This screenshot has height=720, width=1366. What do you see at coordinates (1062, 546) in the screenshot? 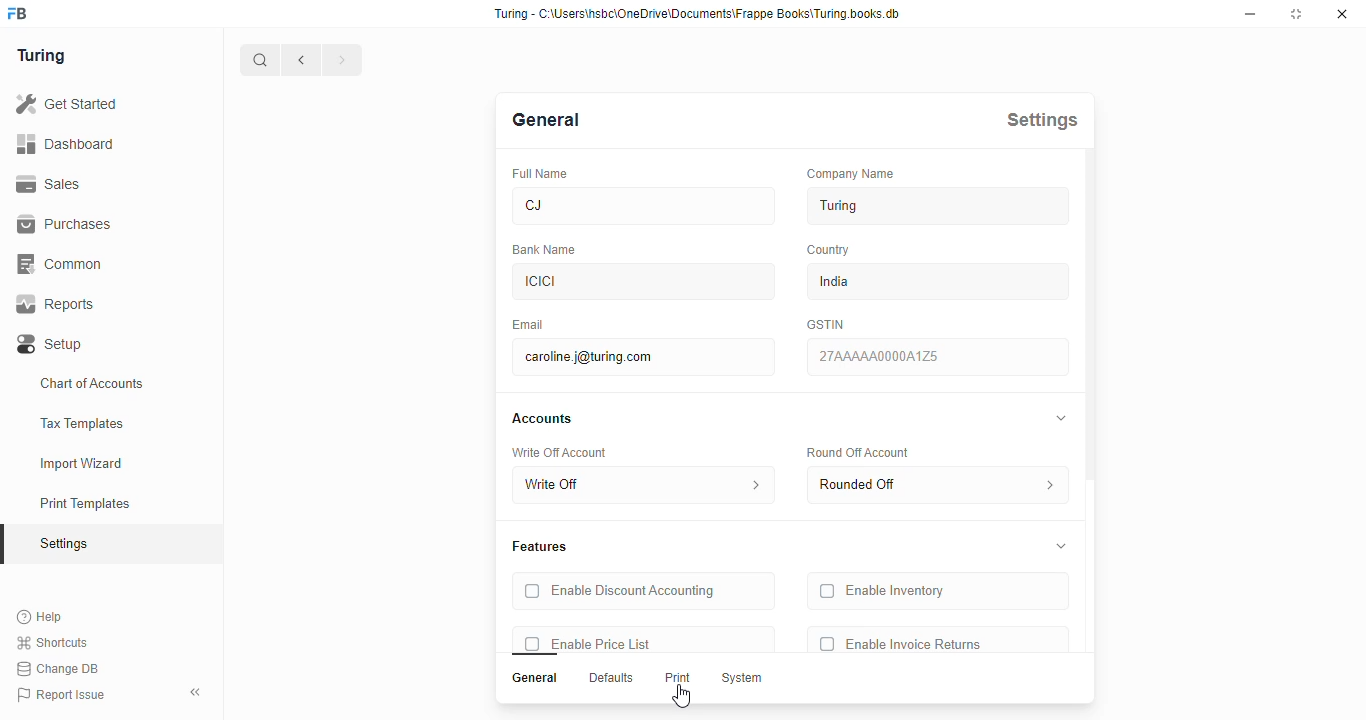
I see `toggle expand/contract` at bounding box center [1062, 546].